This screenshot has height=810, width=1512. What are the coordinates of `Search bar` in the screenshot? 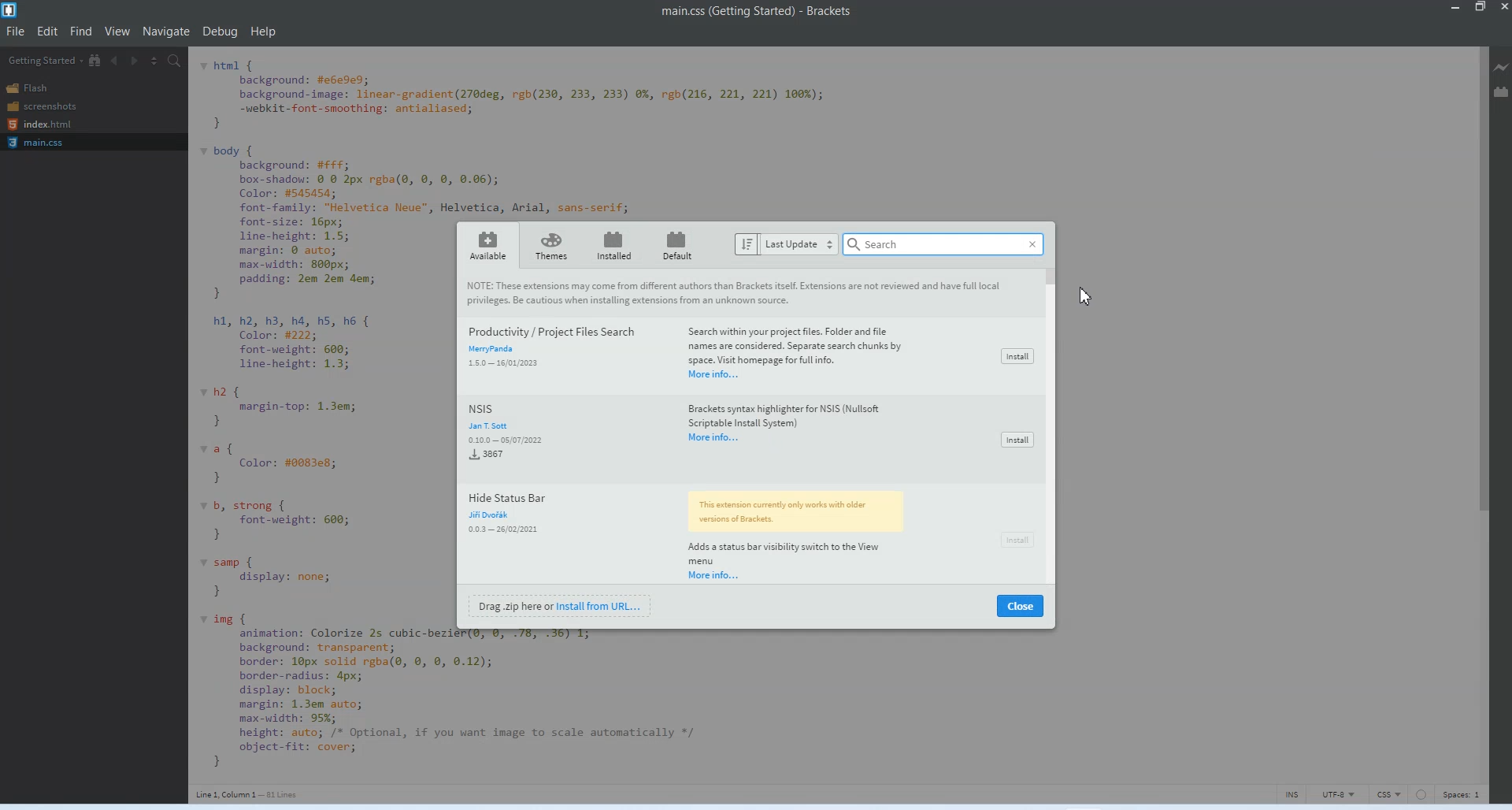 It's located at (946, 244).